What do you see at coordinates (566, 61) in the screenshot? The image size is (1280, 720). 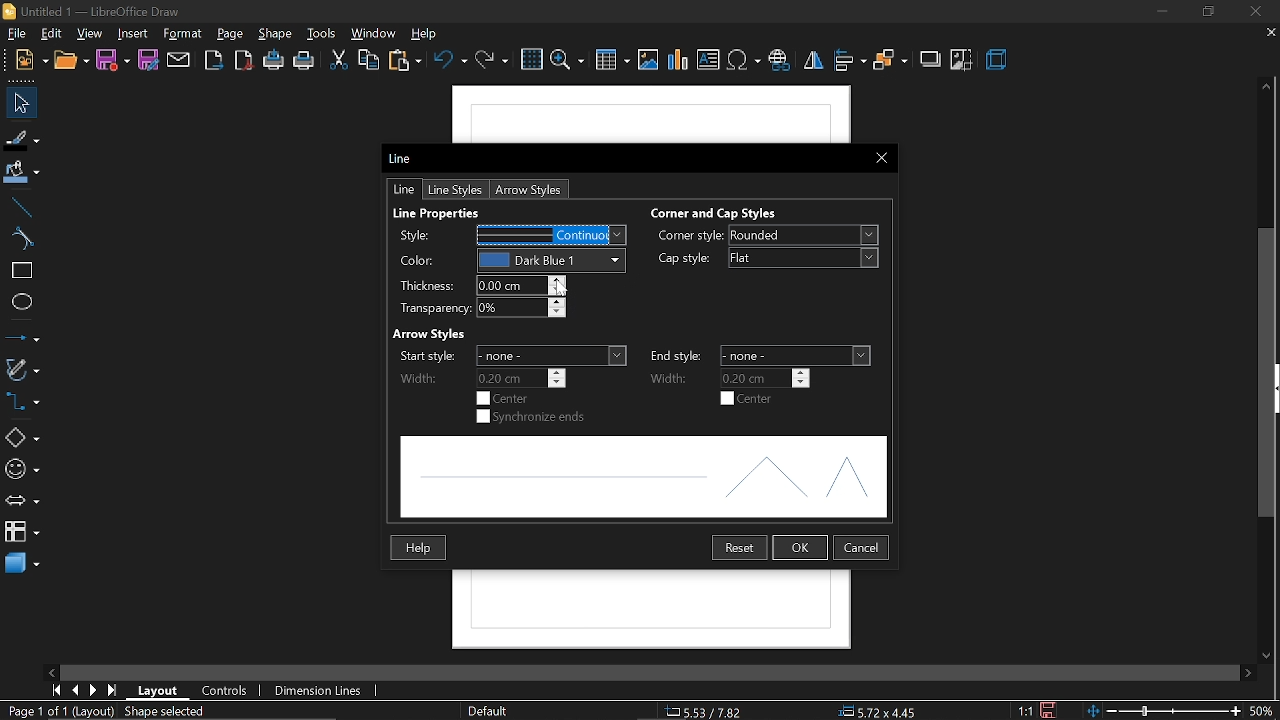 I see `zoom` at bounding box center [566, 61].